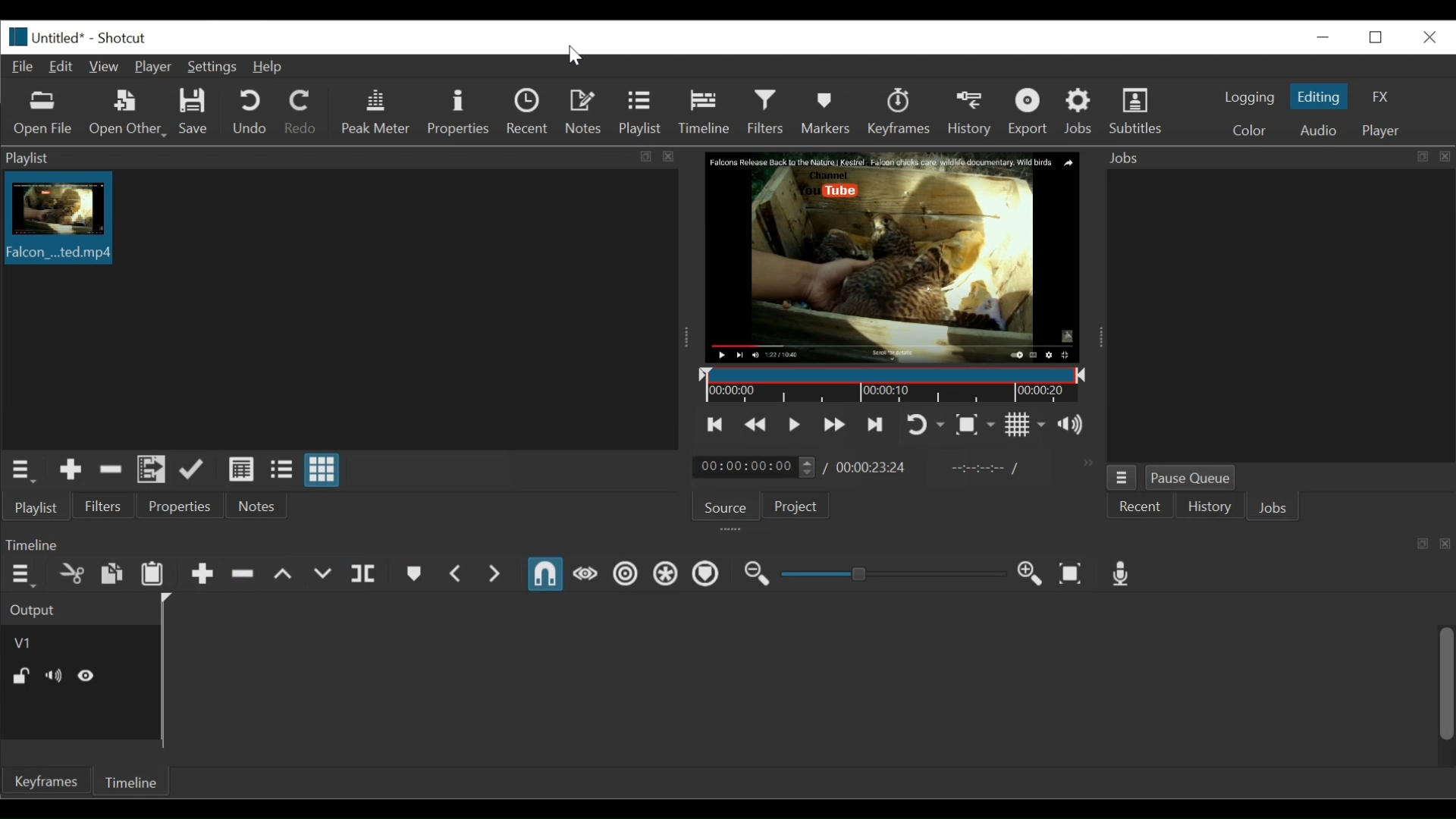 The width and height of the screenshot is (1456, 819). I want to click on Open file, so click(47, 115).